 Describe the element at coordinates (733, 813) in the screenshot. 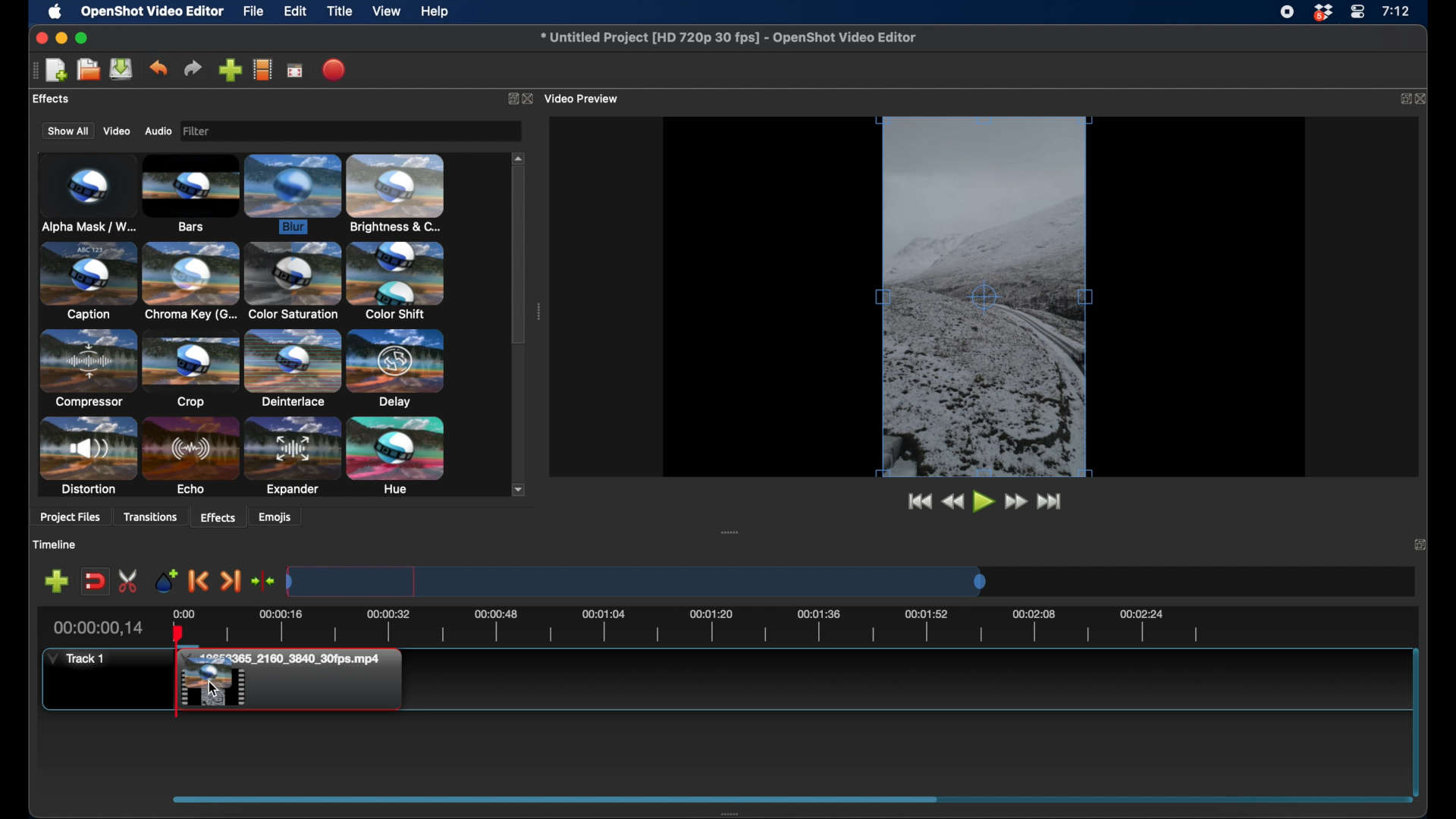

I see `drag handle` at that location.